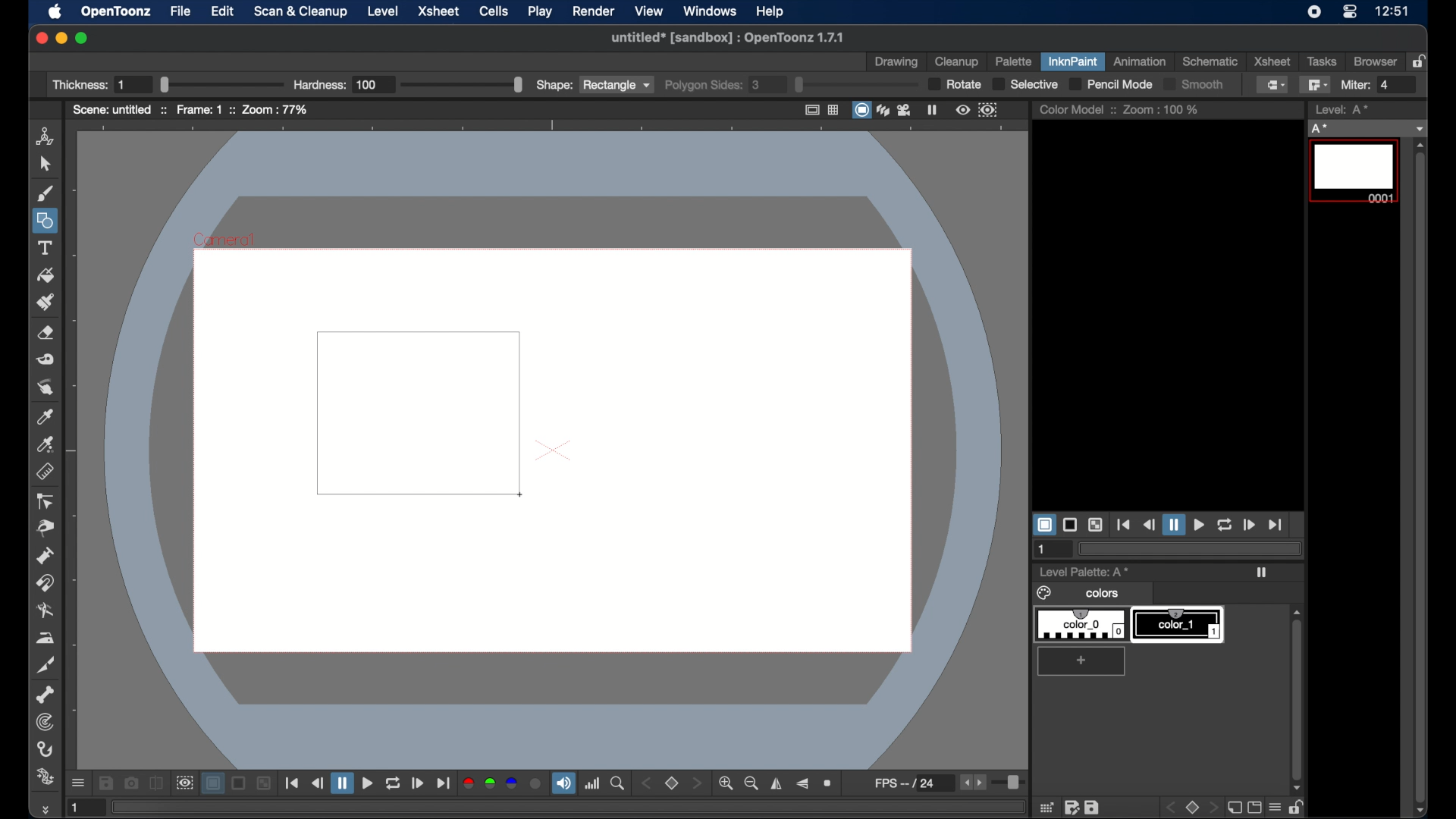 The image size is (1456, 819). Describe the element at coordinates (1421, 61) in the screenshot. I see `lock rooms table` at that location.